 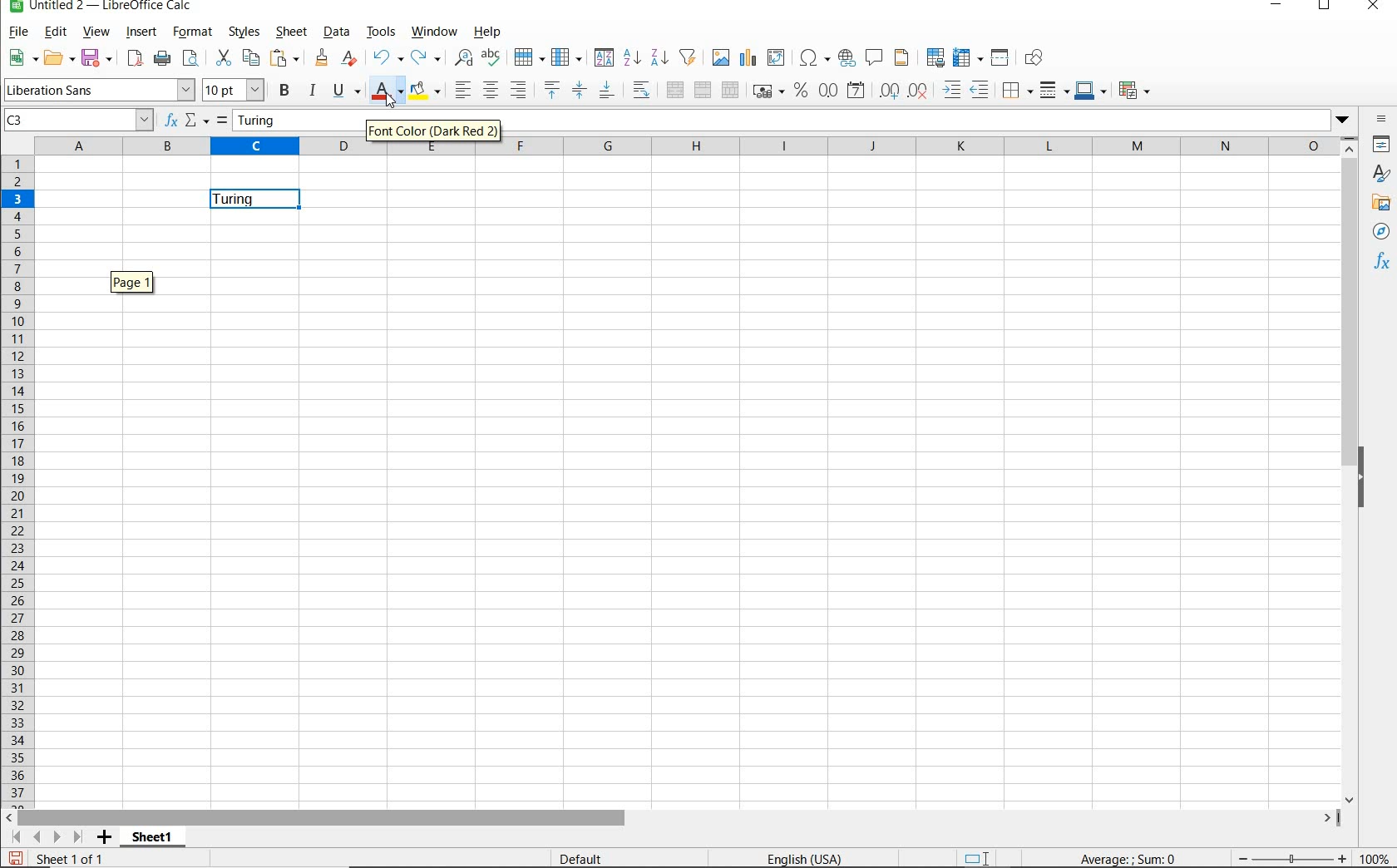 I want to click on INSERT CHART, so click(x=748, y=57).